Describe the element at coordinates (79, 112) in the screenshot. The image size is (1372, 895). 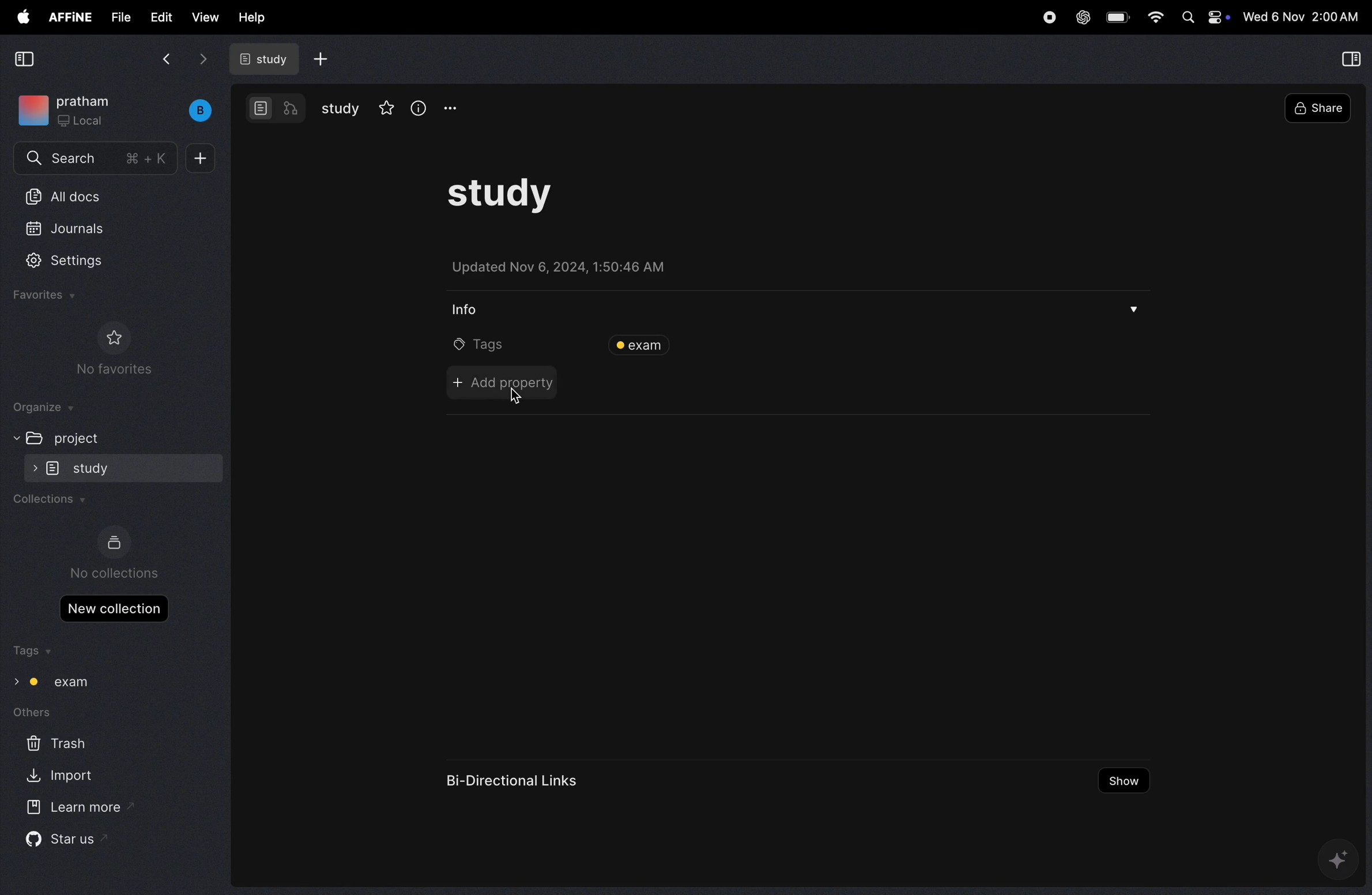
I see `workspace` at that location.